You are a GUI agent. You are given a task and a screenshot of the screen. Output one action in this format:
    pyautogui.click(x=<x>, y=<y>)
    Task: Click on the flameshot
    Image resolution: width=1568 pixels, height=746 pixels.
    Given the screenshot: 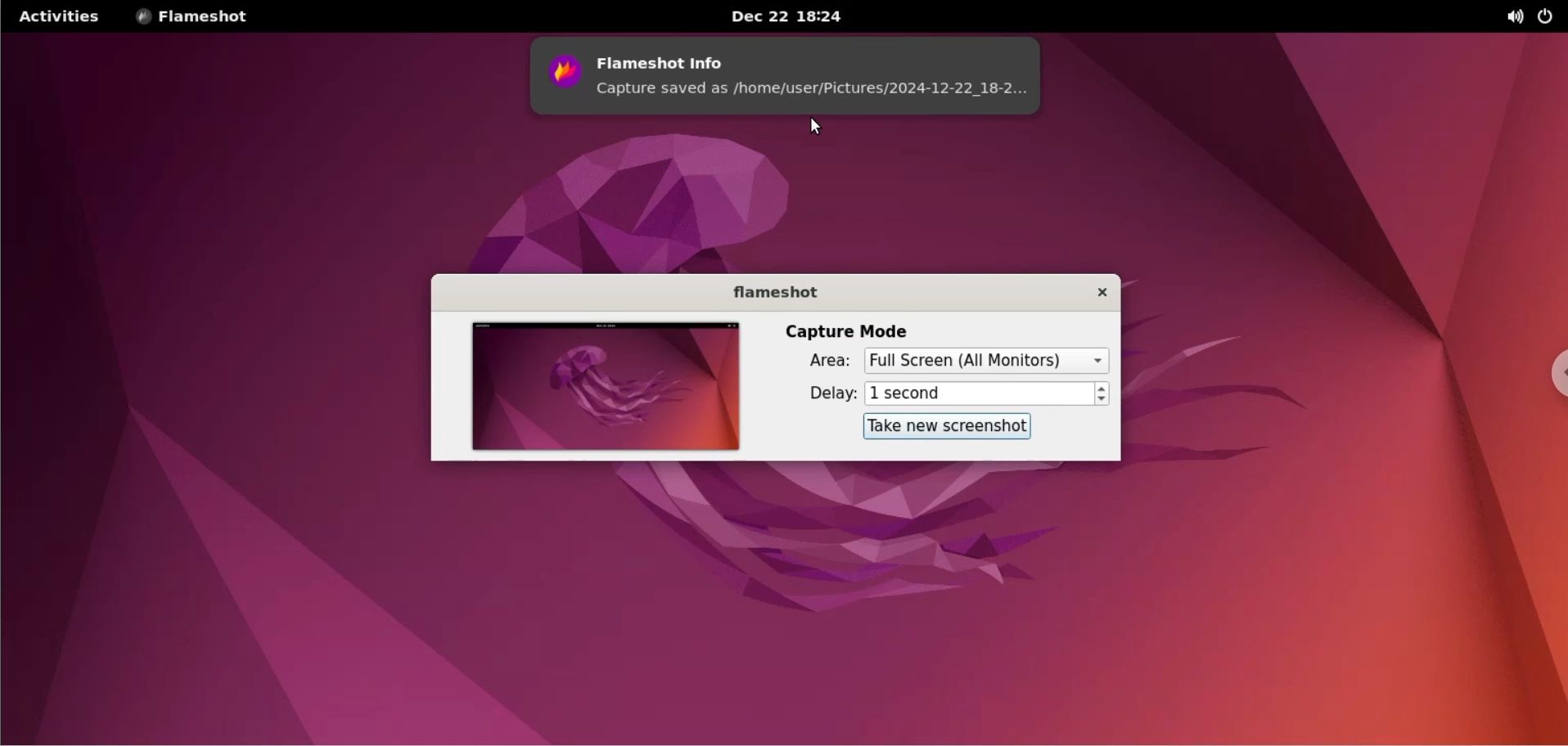 What is the action you would take?
    pyautogui.click(x=778, y=292)
    